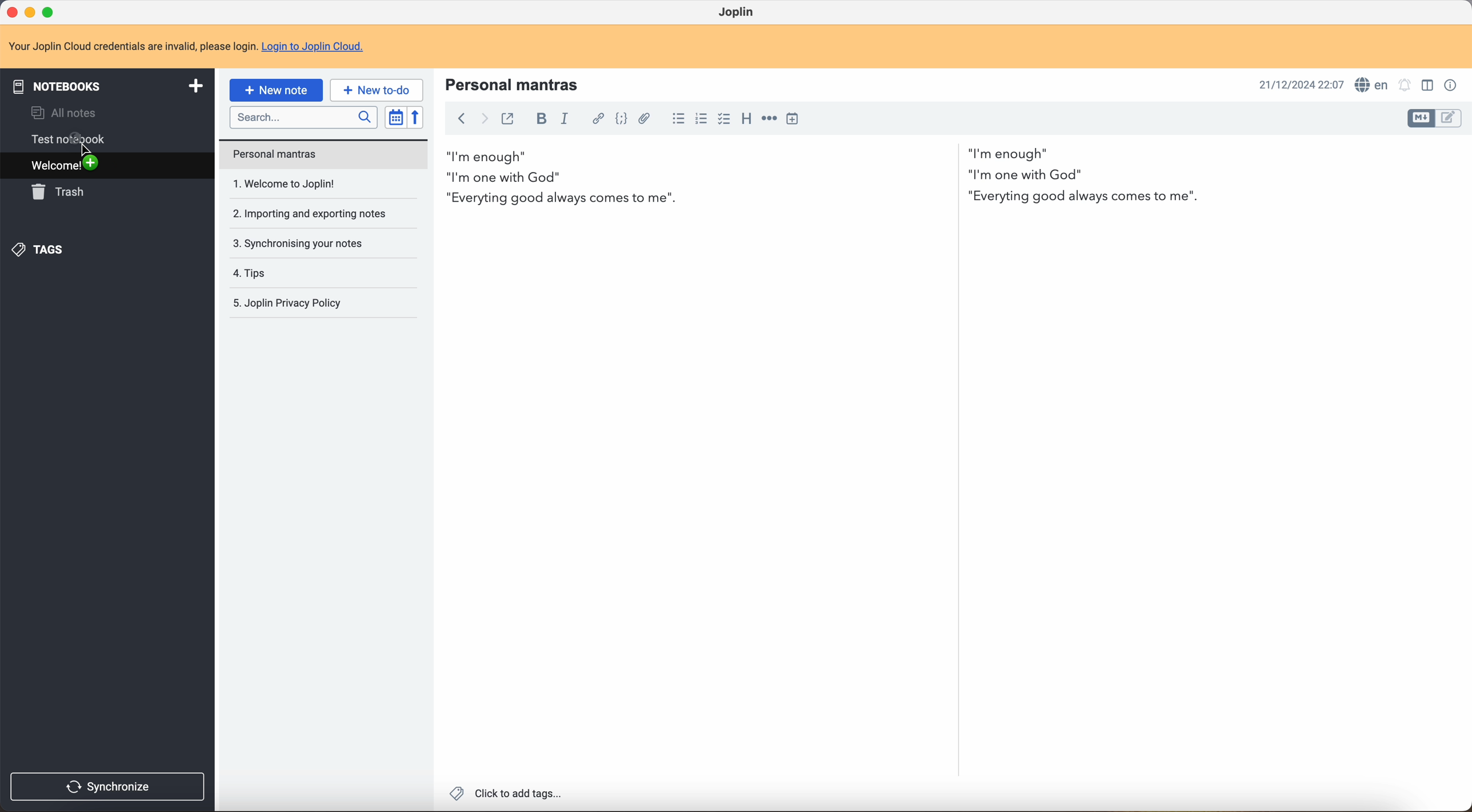 The width and height of the screenshot is (1472, 812). Describe the element at coordinates (567, 118) in the screenshot. I see `italic` at that location.